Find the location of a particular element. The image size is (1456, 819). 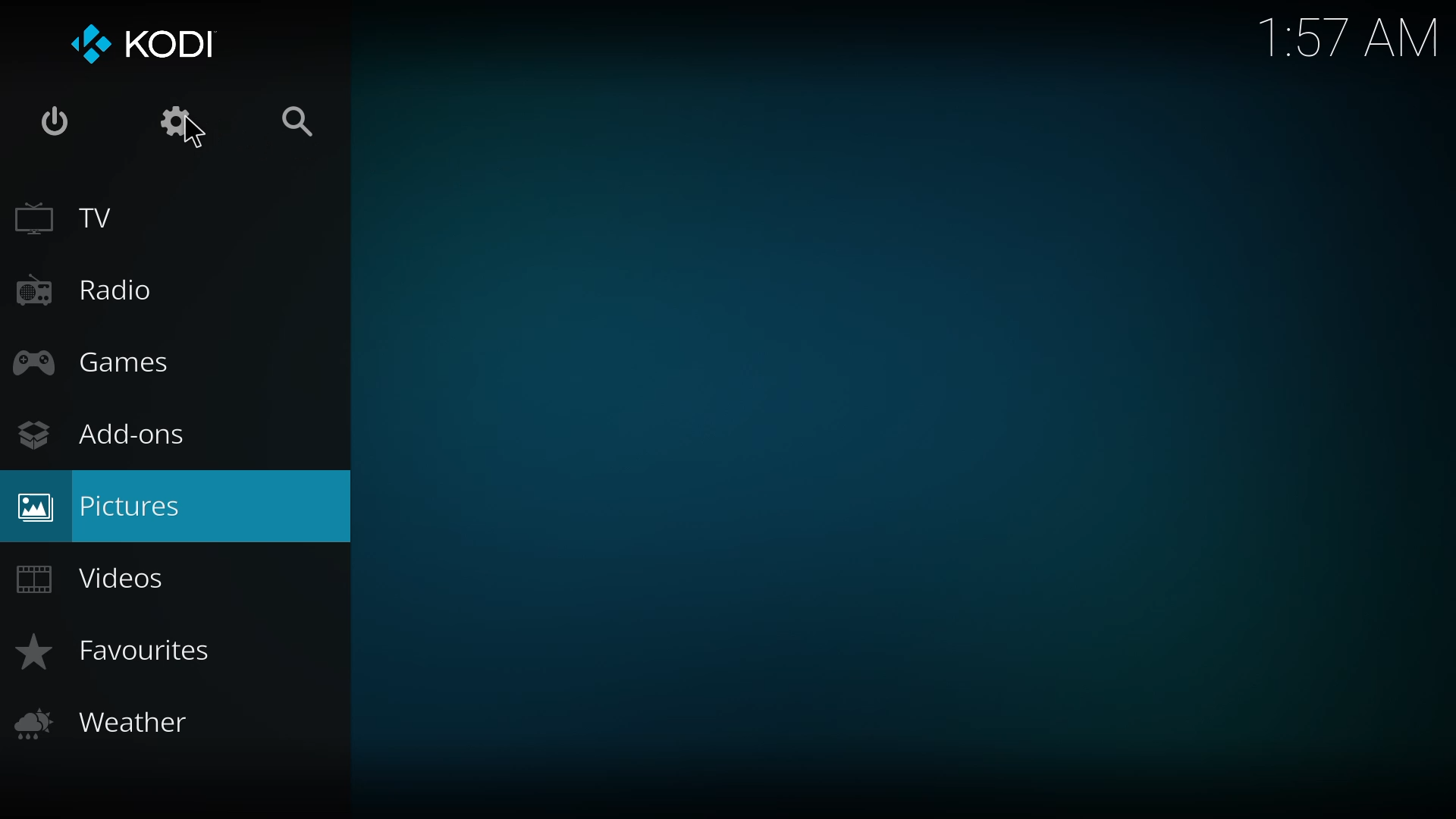

power is located at coordinates (57, 121).